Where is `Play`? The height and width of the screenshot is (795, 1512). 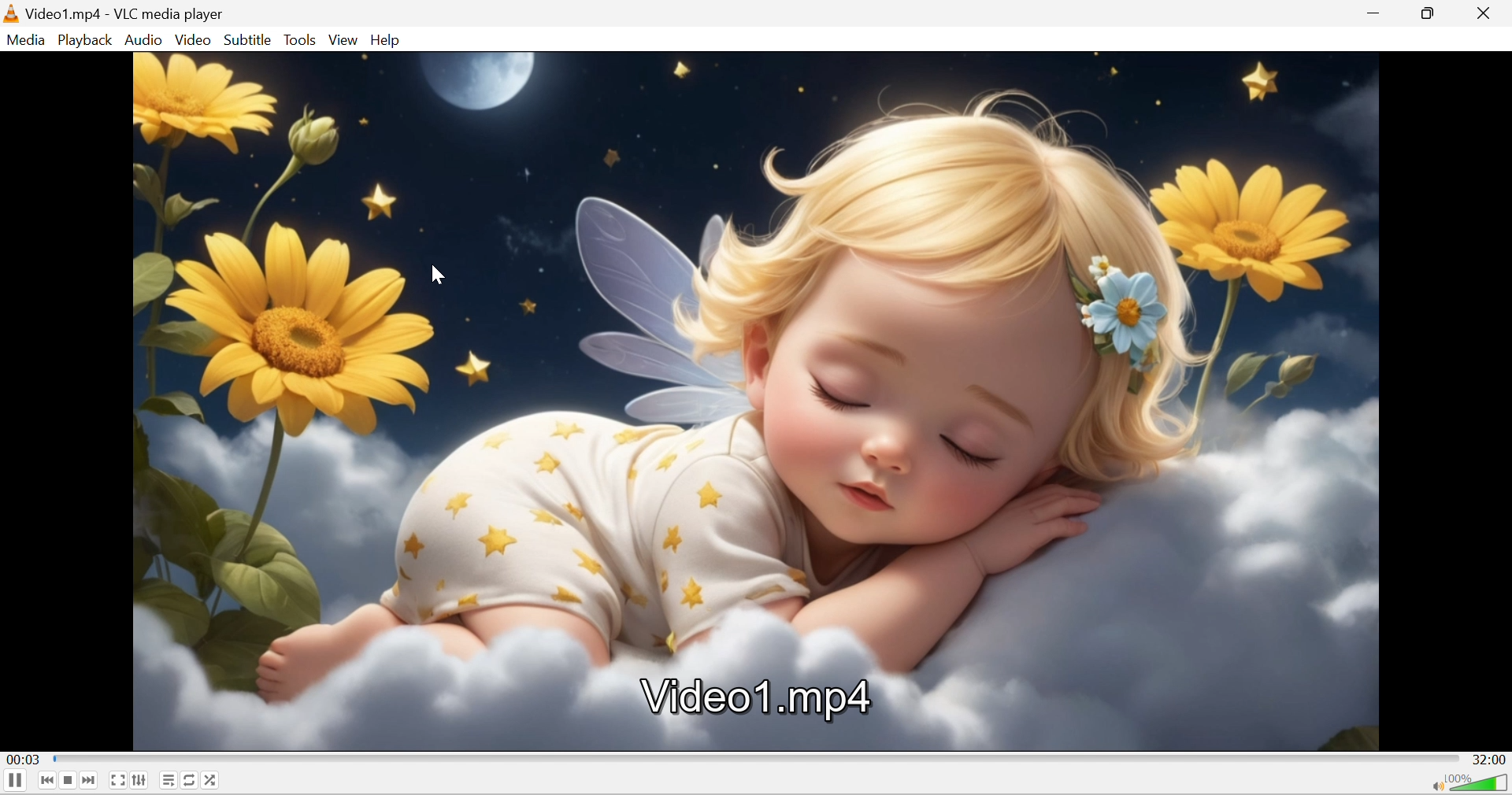
Play is located at coordinates (16, 780).